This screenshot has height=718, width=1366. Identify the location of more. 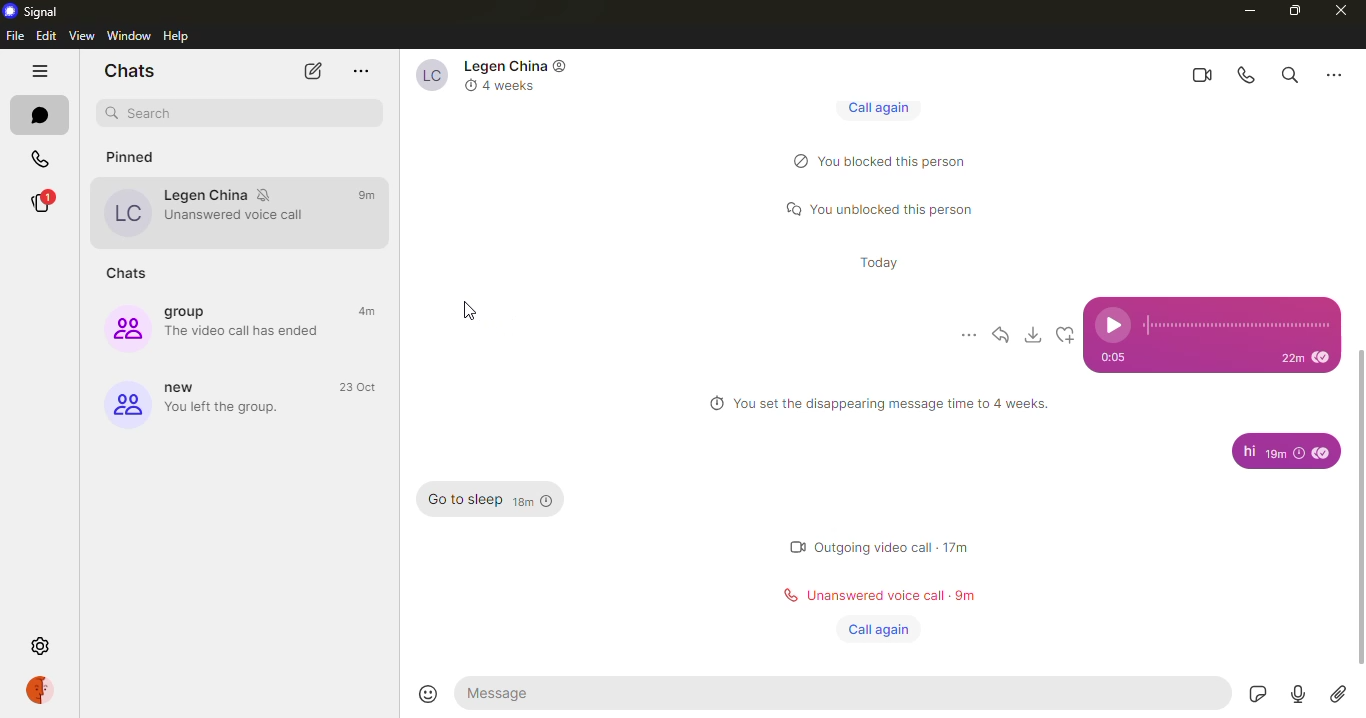
(1341, 75).